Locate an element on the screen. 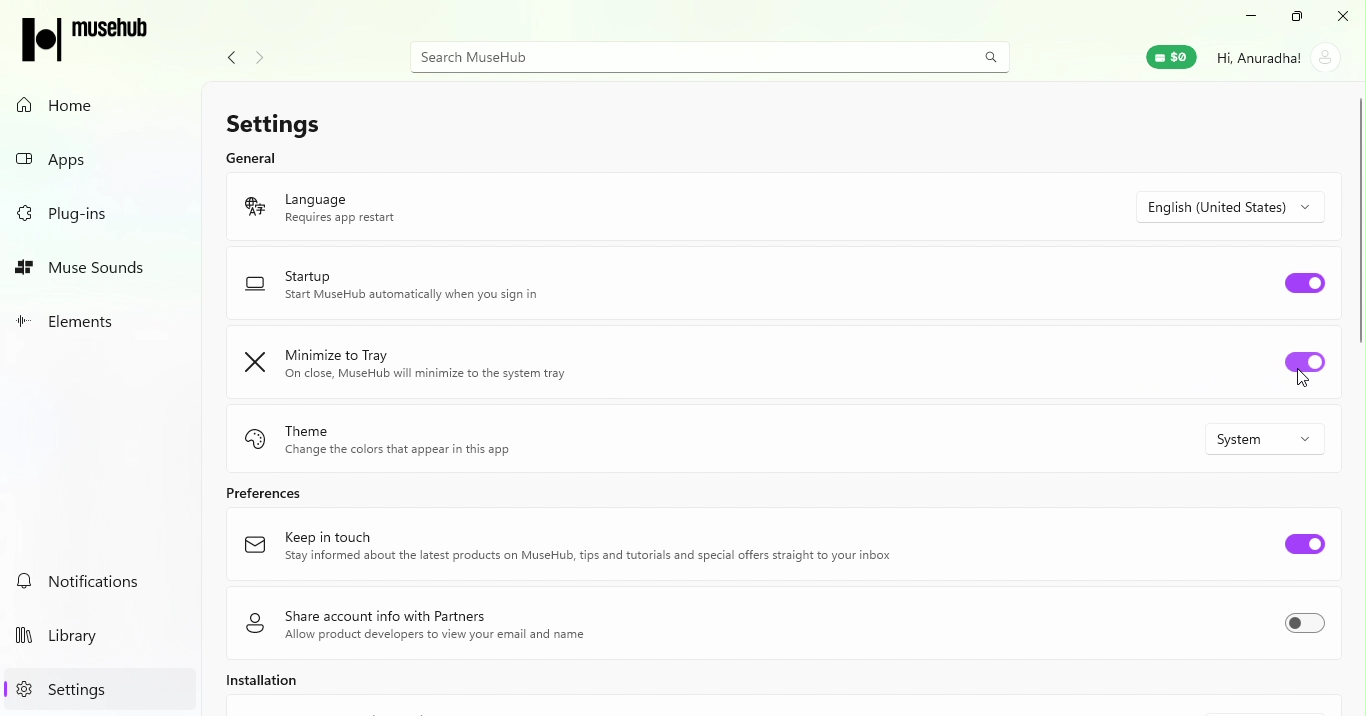 This screenshot has width=1366, height=716. Drop down menu is located at coordinates (1266, 441).